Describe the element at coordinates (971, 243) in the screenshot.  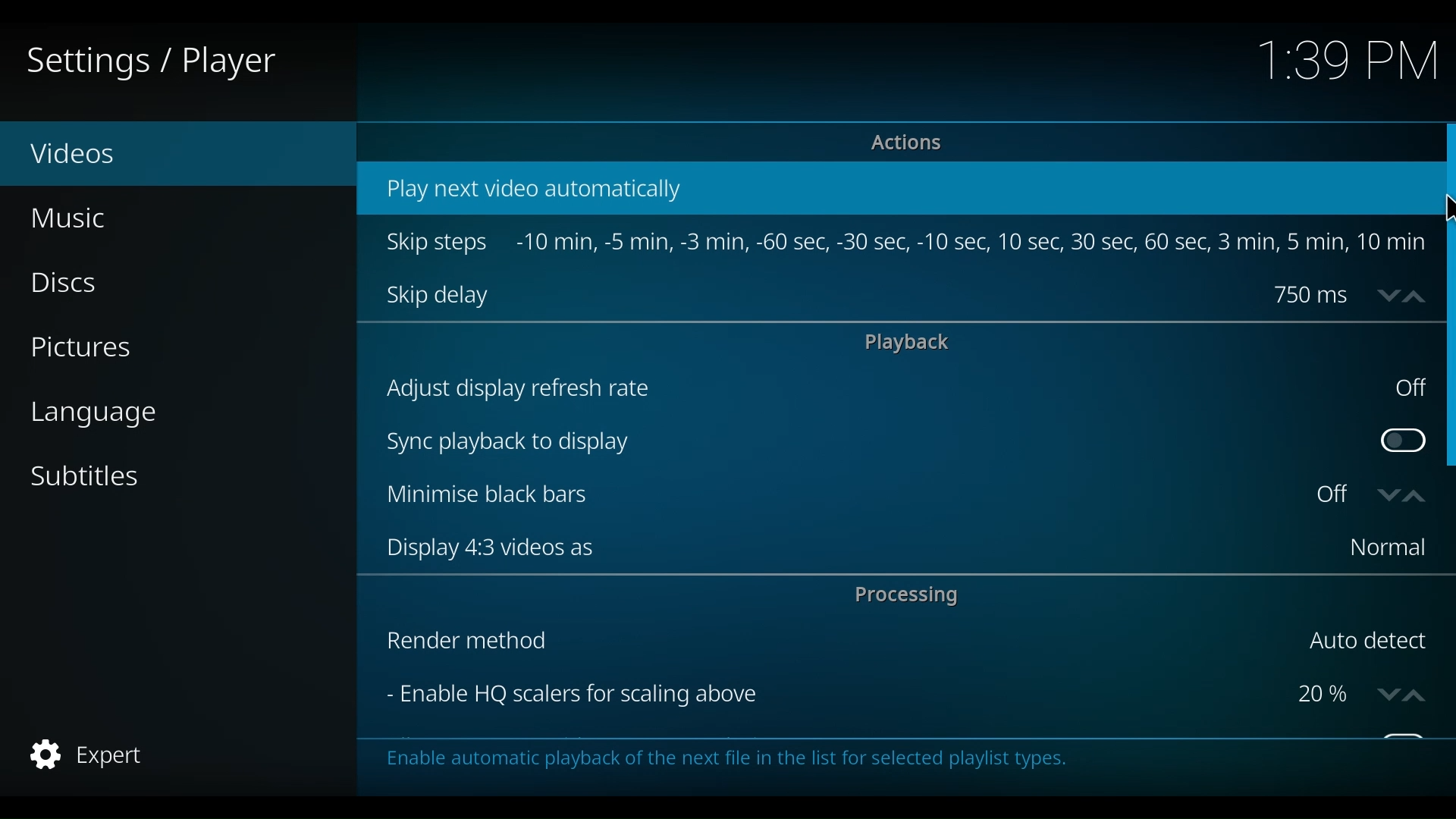
I see `-10 min, -5 min, -3min, -60sec, -30sec, -10sec, -10sec, 10se, 30sec, 60sec, 3min, 5min, 10 min` at that location.